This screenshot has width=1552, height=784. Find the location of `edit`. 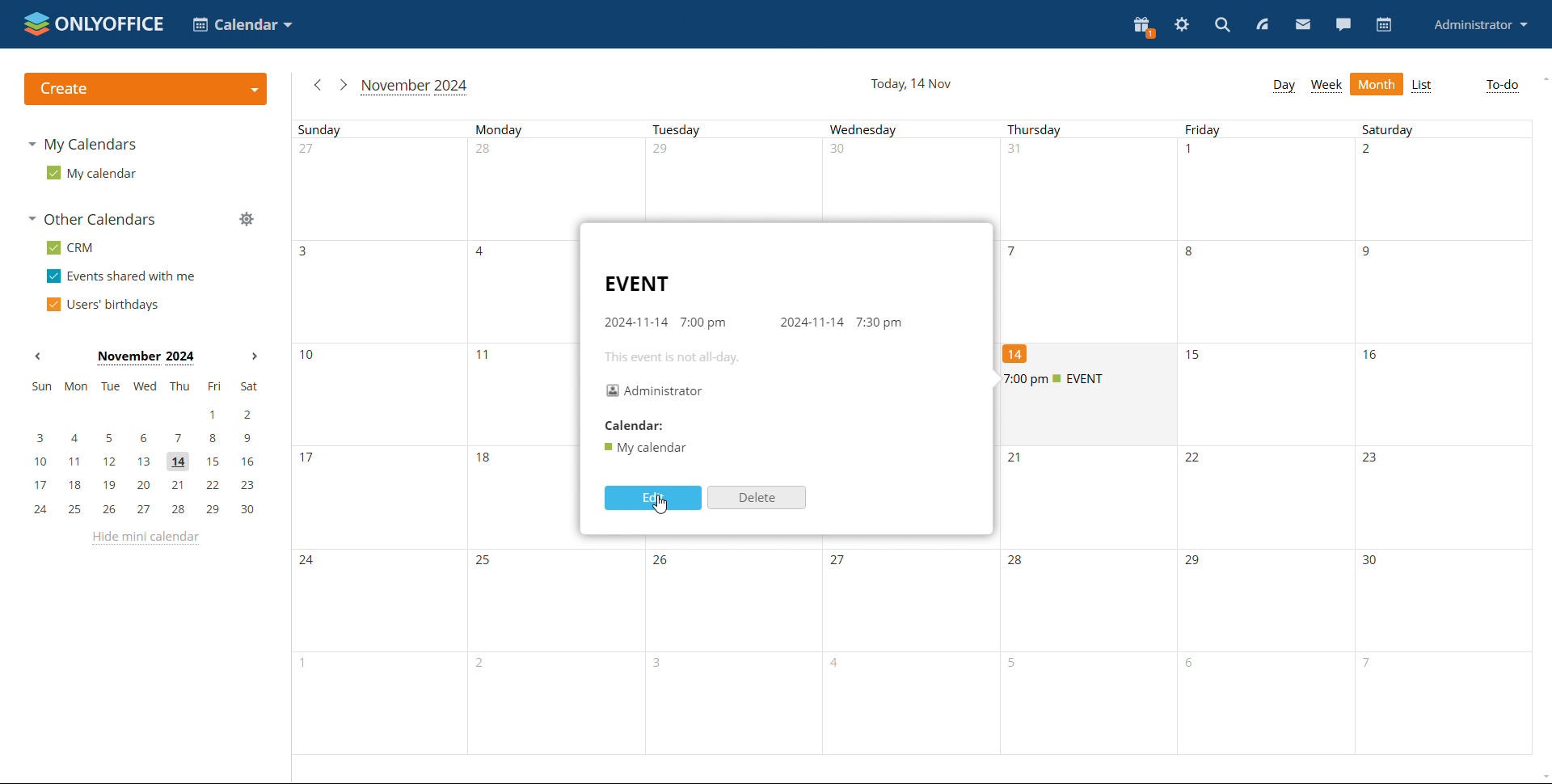

edit is located at coordinates (655, 498).